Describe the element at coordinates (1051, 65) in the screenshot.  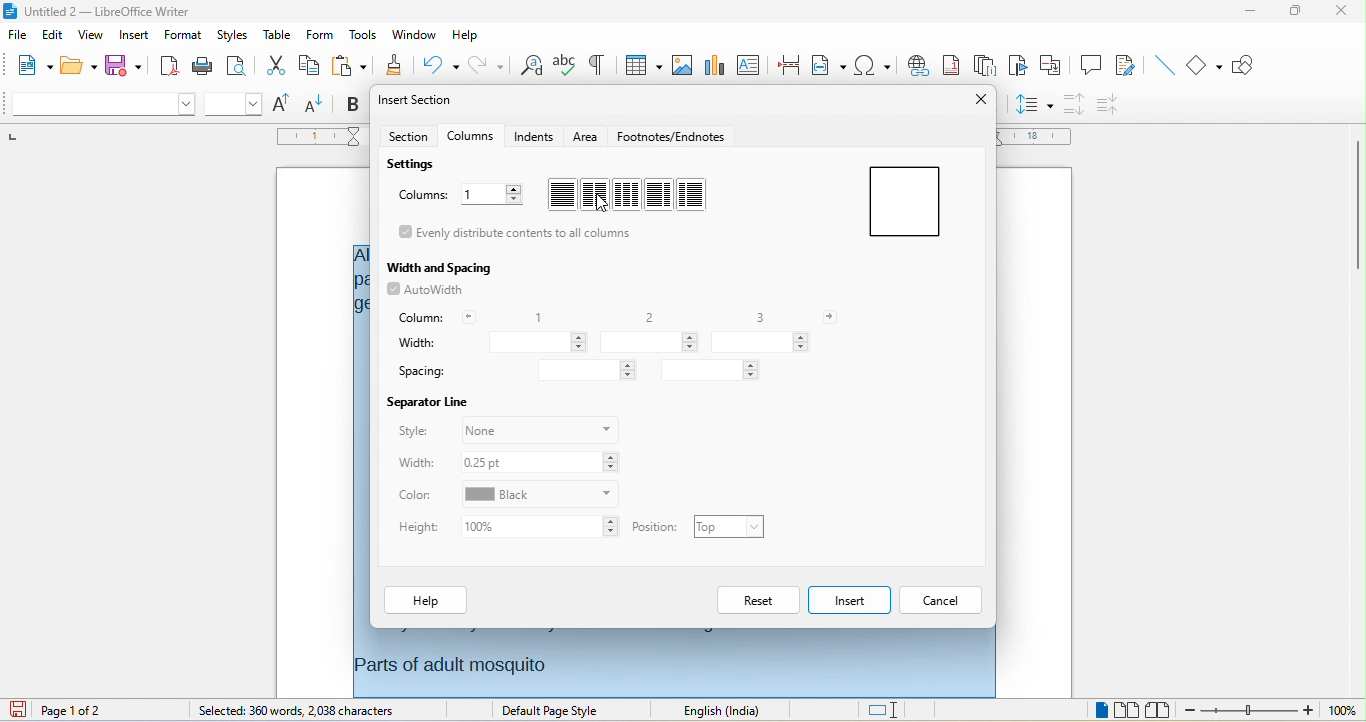
I see `cross reference` at that location.